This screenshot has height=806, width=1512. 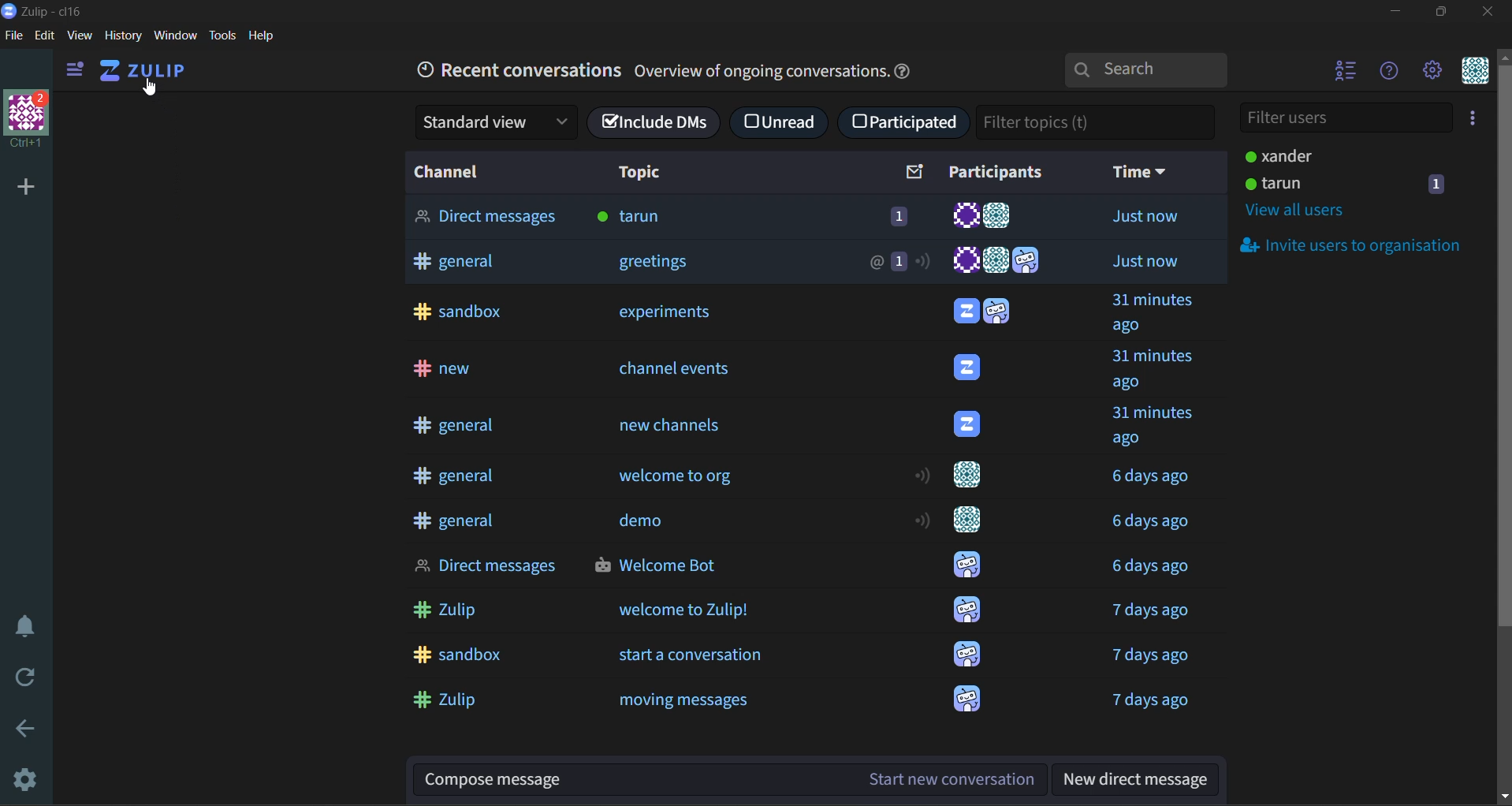 I want to click on Time, so click(x=1159, y=370).